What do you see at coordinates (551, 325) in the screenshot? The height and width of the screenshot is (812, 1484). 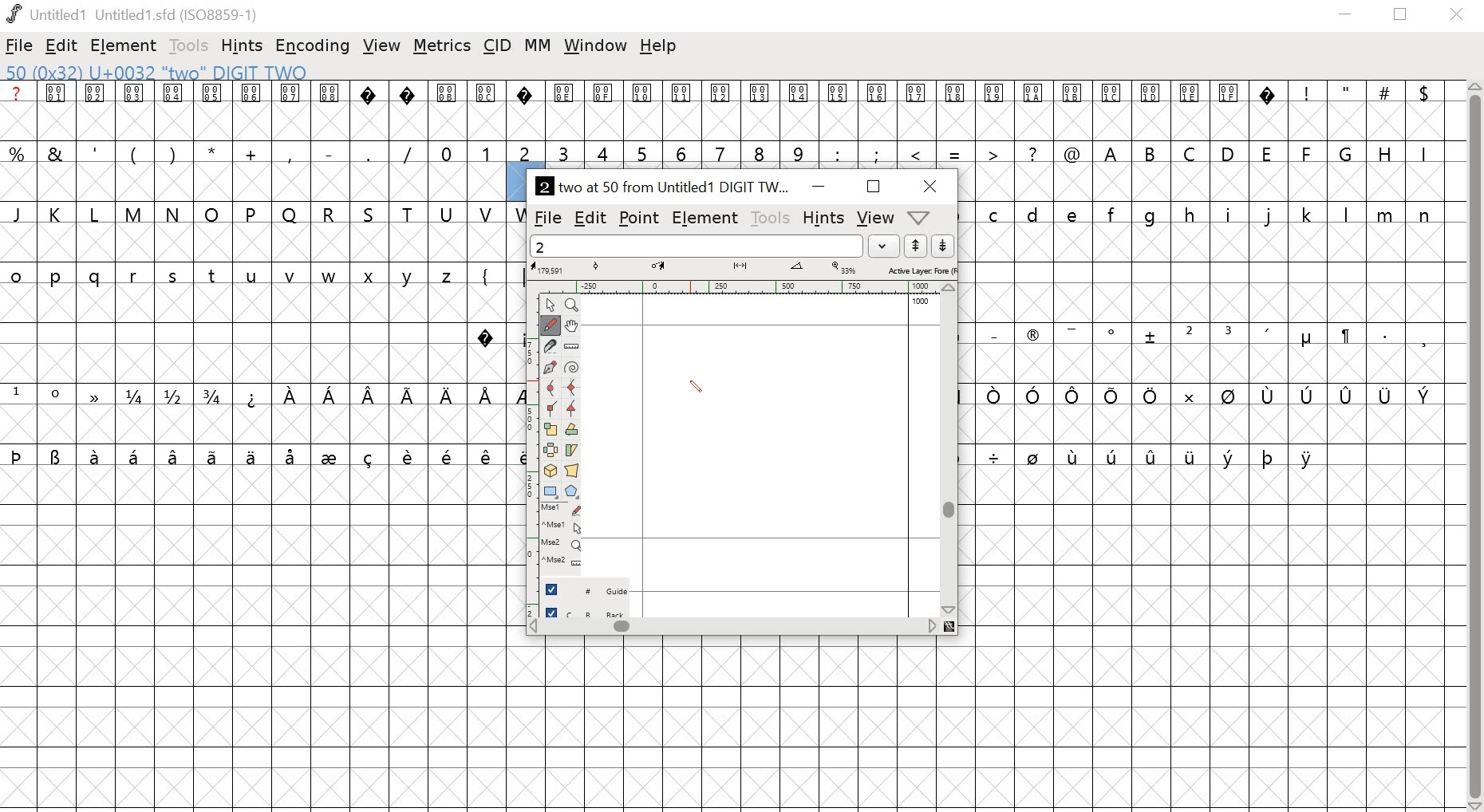 I see `freehand tool` at bounding box center [551, 325].